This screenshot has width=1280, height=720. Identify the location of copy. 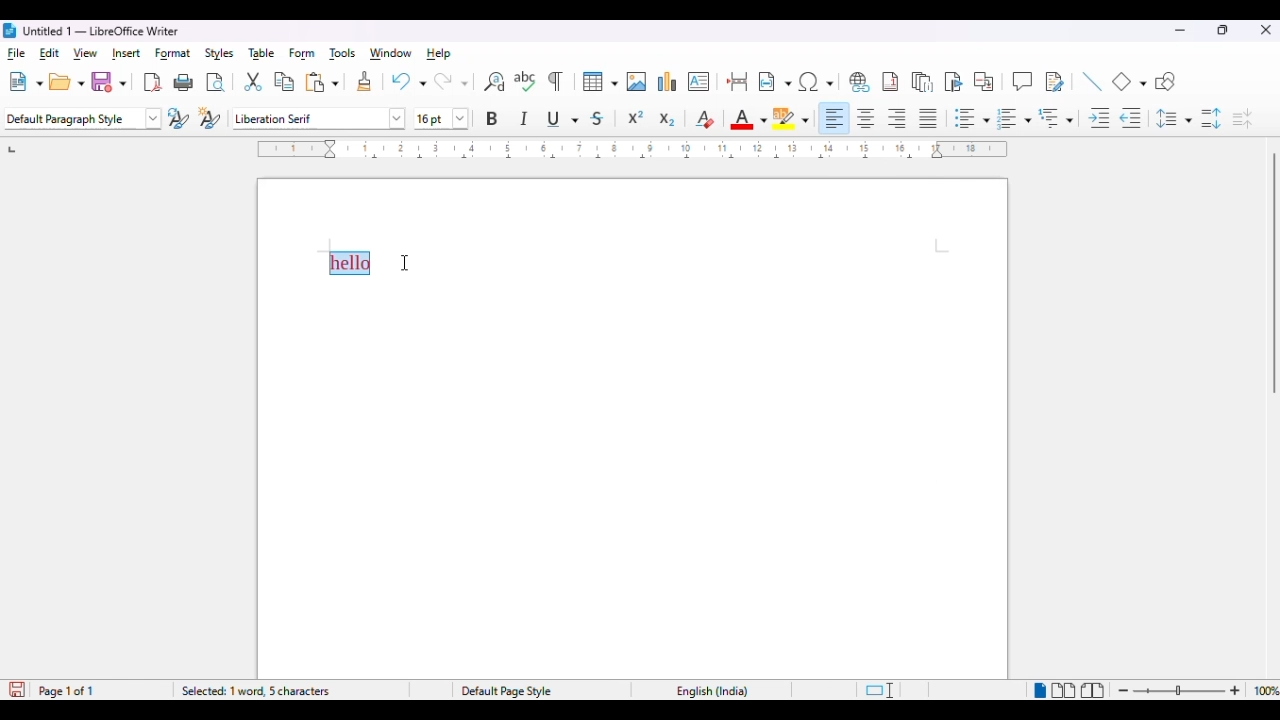
(285, 83).